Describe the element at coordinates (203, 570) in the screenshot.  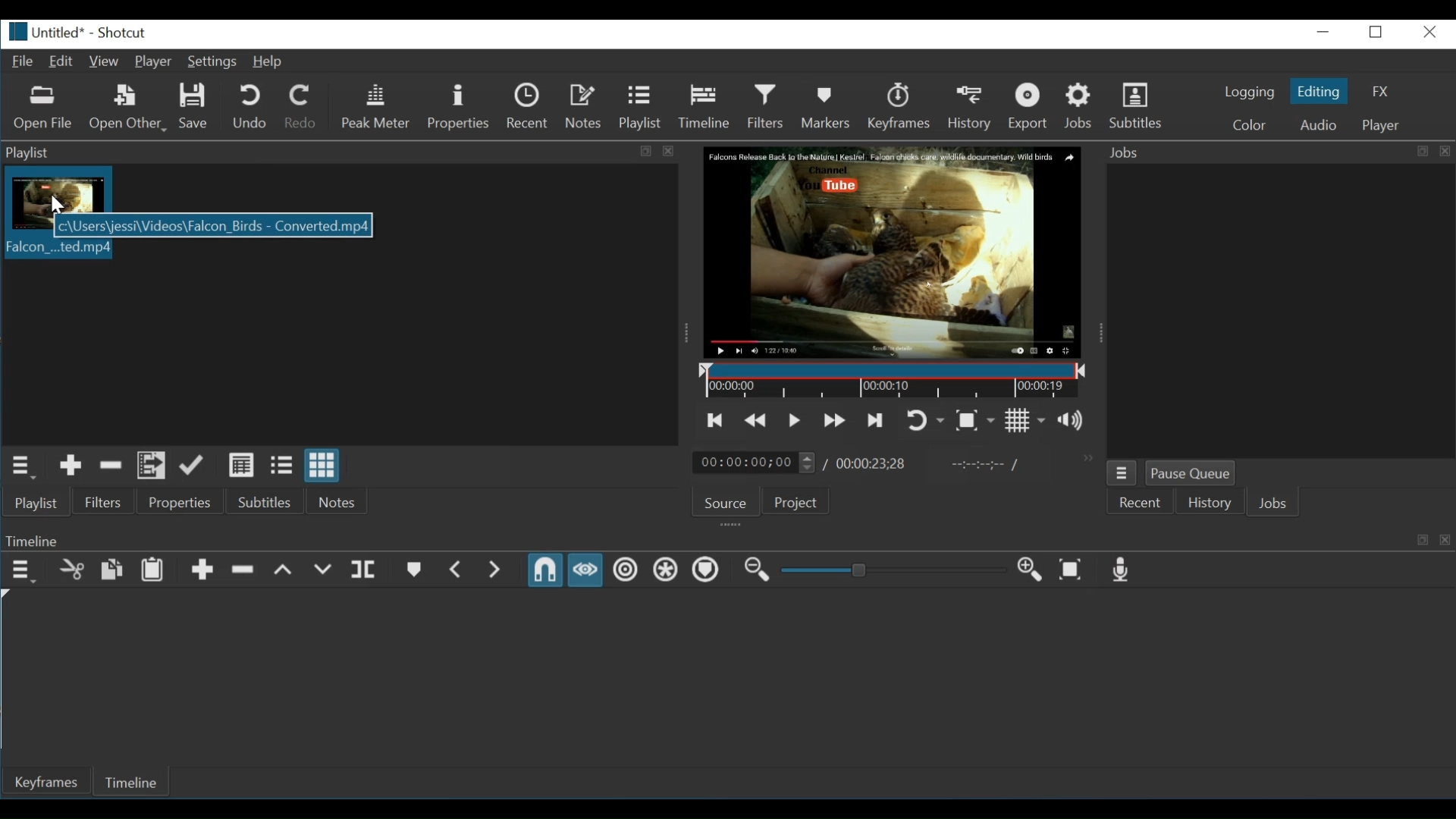
I see `Append` at that location.